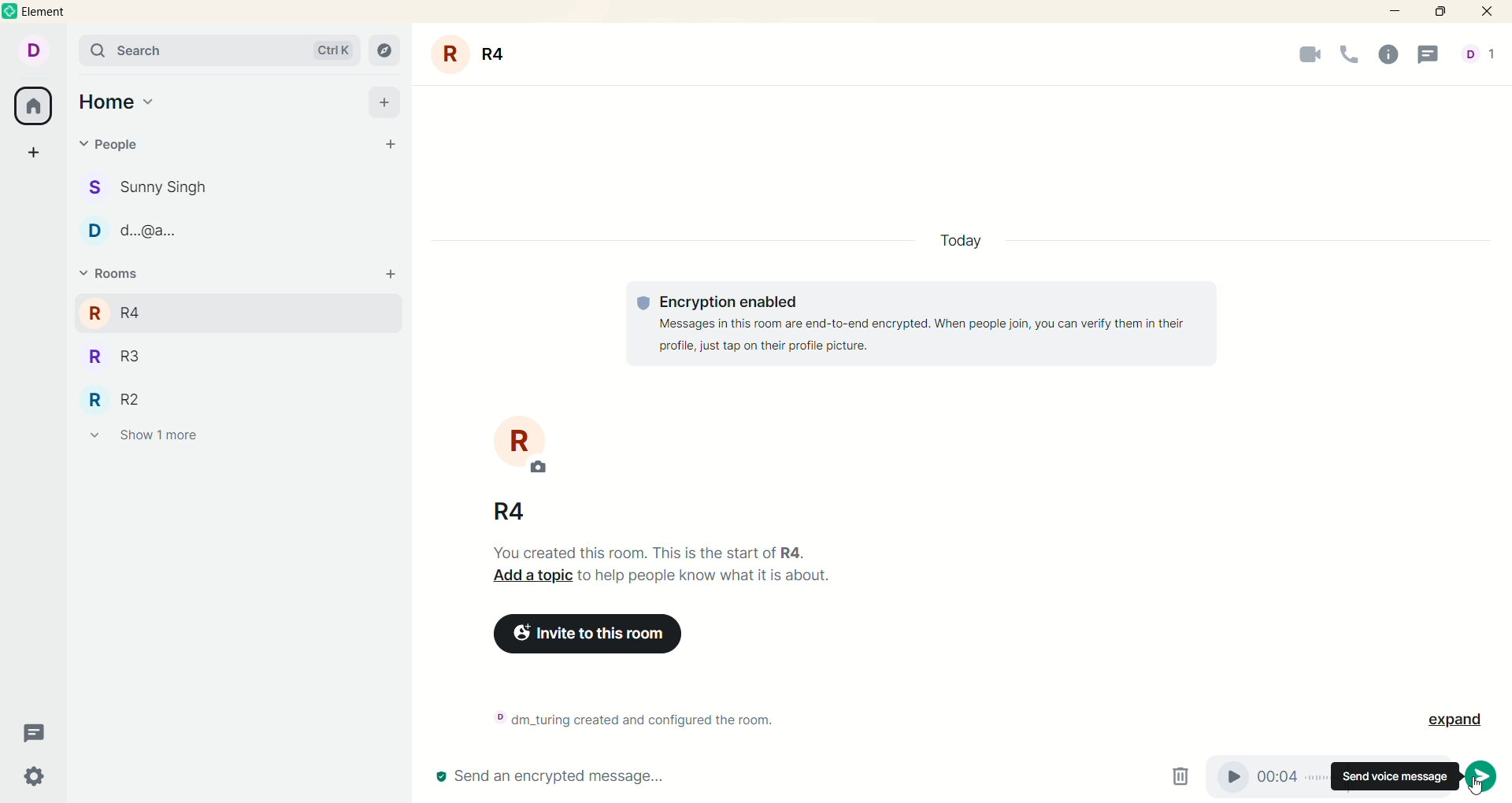 This screenshot has width=1512, height=803. What do you see at coordinates (1445, 13) in the screenshot?
I see `maximize` at bounding box center [1445, 13].